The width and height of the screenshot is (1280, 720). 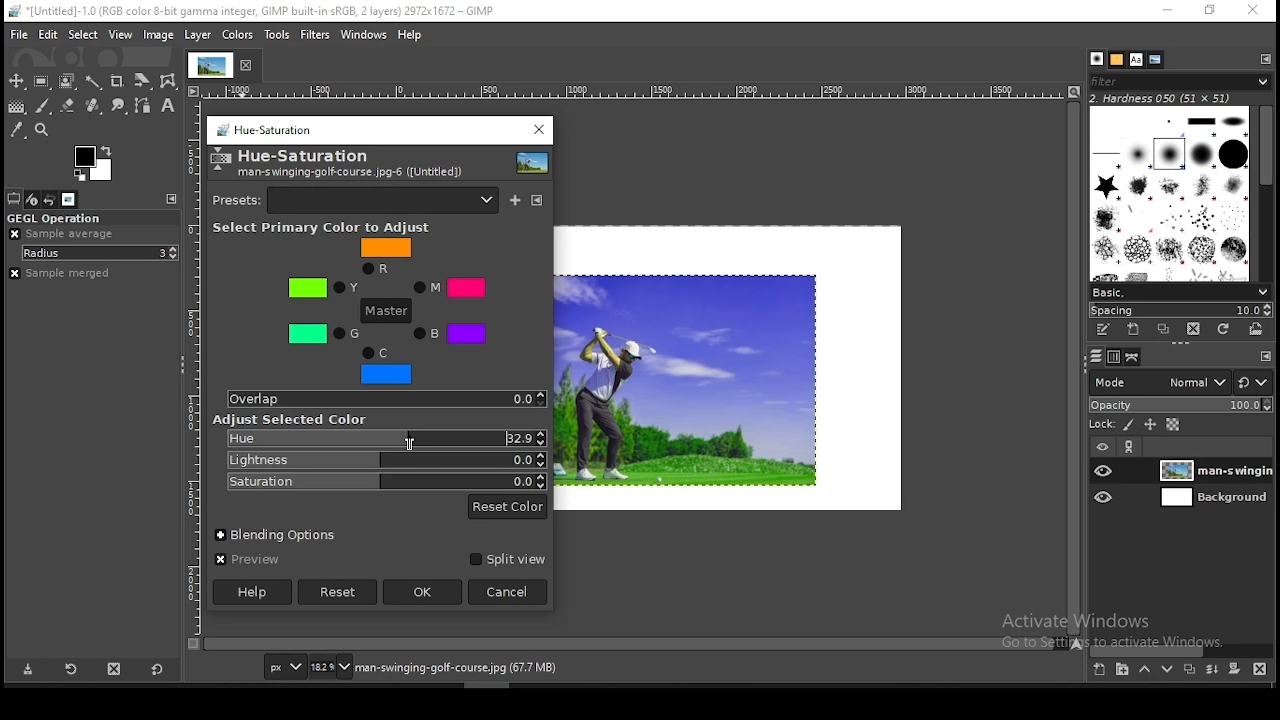 What do you see at coordinates (1216, 500) in the screenshot?
I see `layer` at bounding box center [1216, 500].